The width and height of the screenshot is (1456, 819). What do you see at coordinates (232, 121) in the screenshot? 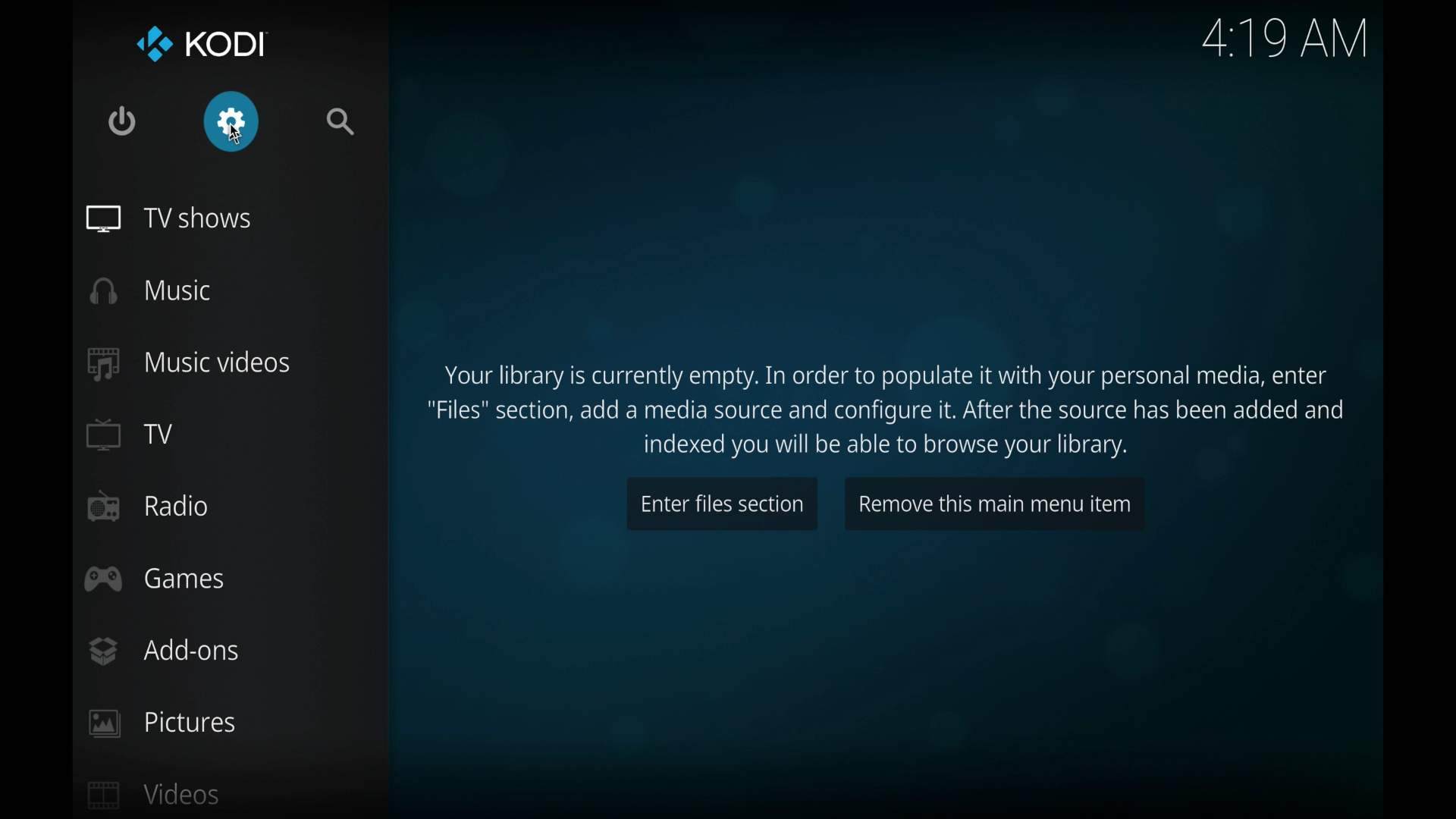
I see `settings` at bounding box center [232, 121].